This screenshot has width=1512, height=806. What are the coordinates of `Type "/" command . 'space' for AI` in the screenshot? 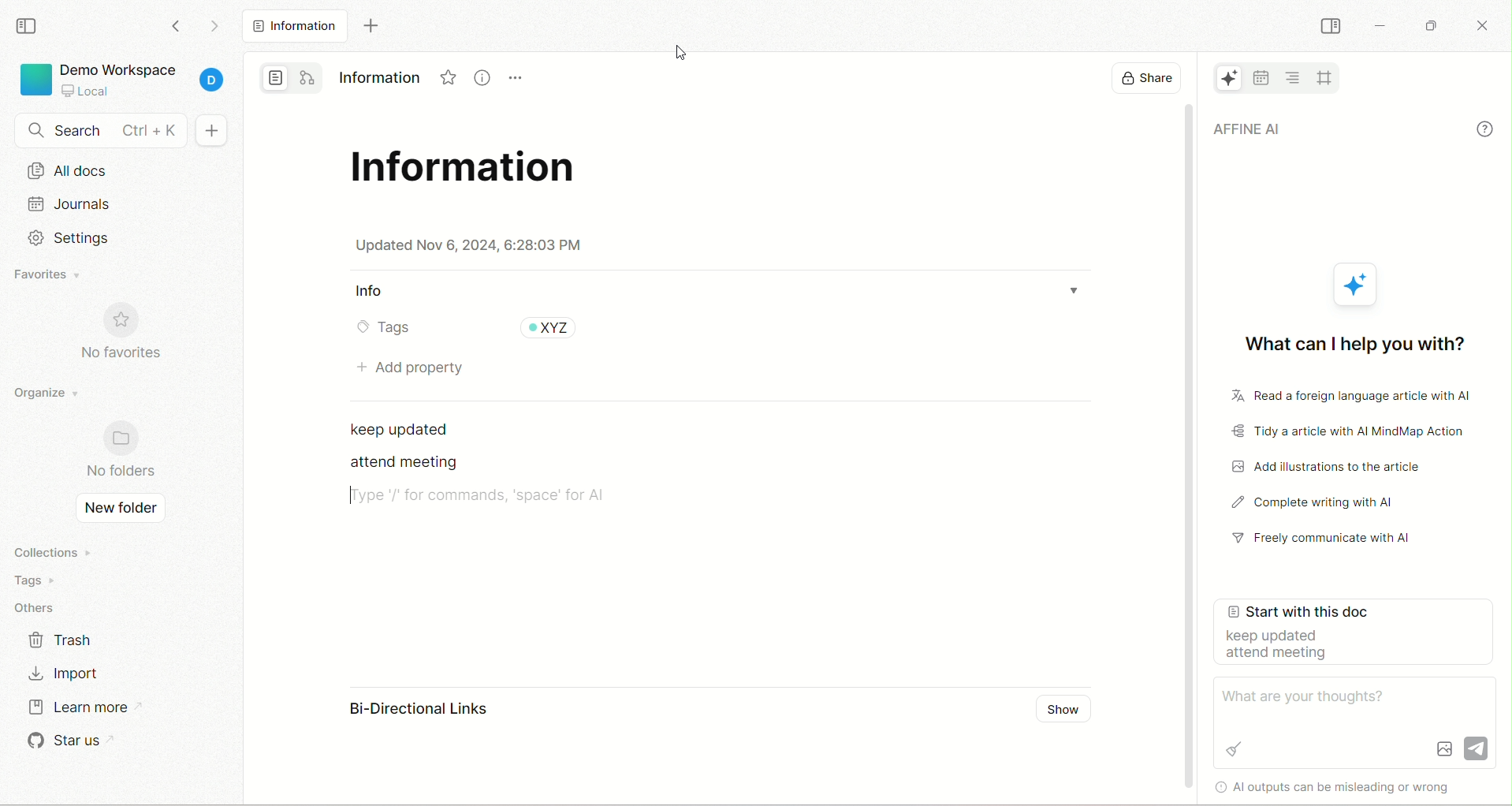 It's located at (482, 496).